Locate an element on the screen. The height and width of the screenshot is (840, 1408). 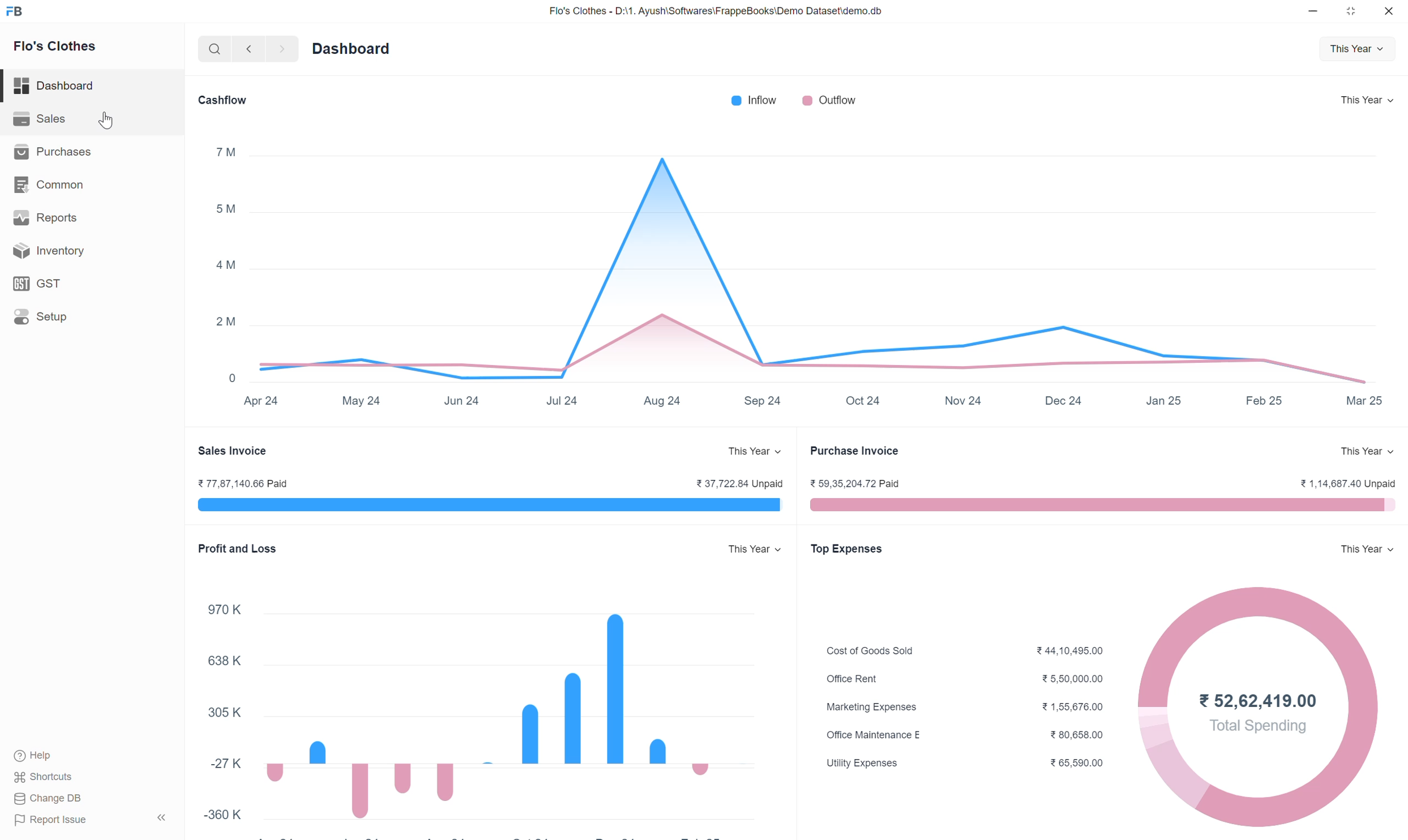
shortcuts  is located at coordinates (54, 777).